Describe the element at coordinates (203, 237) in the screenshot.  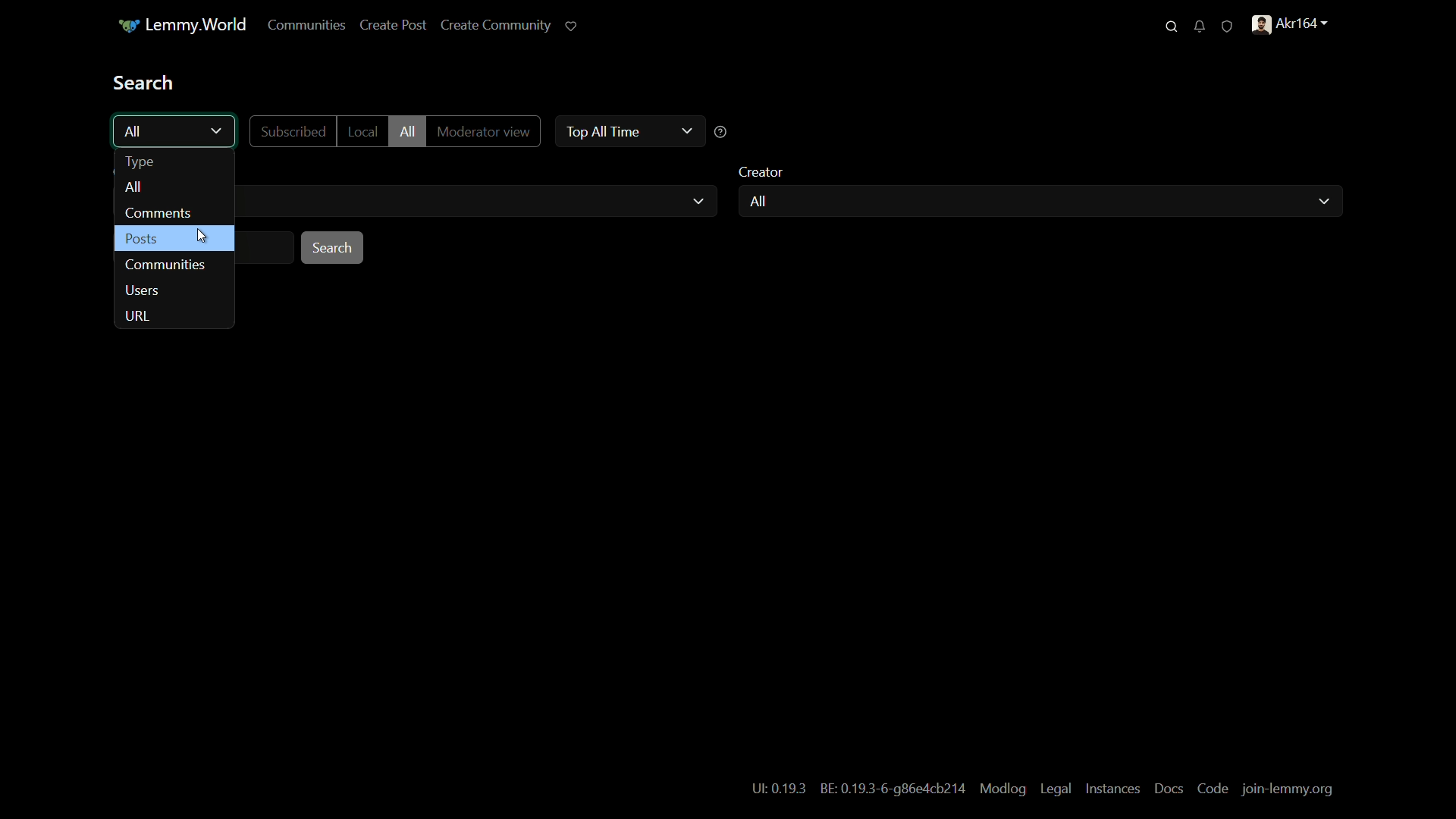
I see `cursor` at that location.